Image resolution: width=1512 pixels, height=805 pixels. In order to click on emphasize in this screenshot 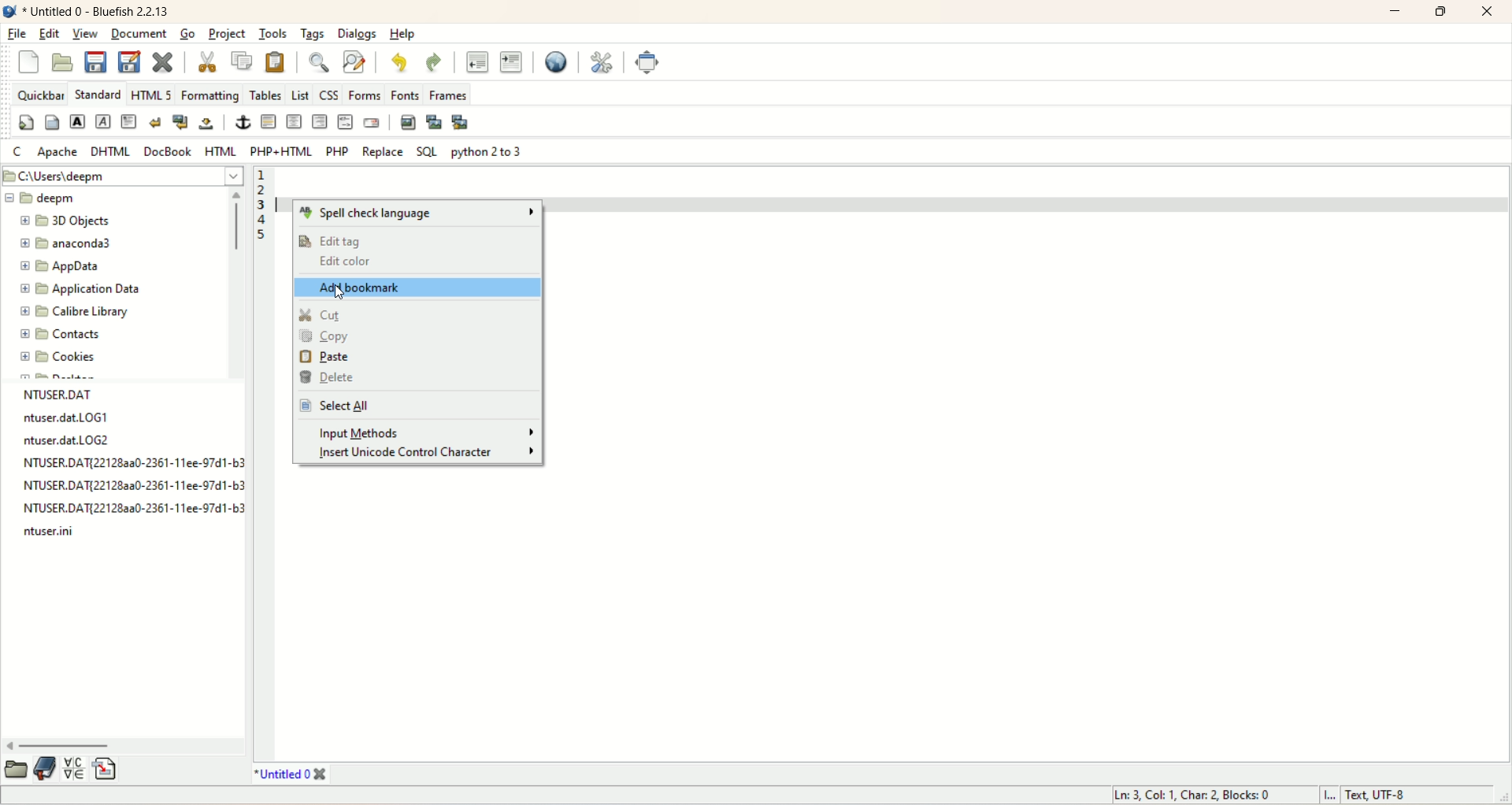, I will do `click(108, 121)`.